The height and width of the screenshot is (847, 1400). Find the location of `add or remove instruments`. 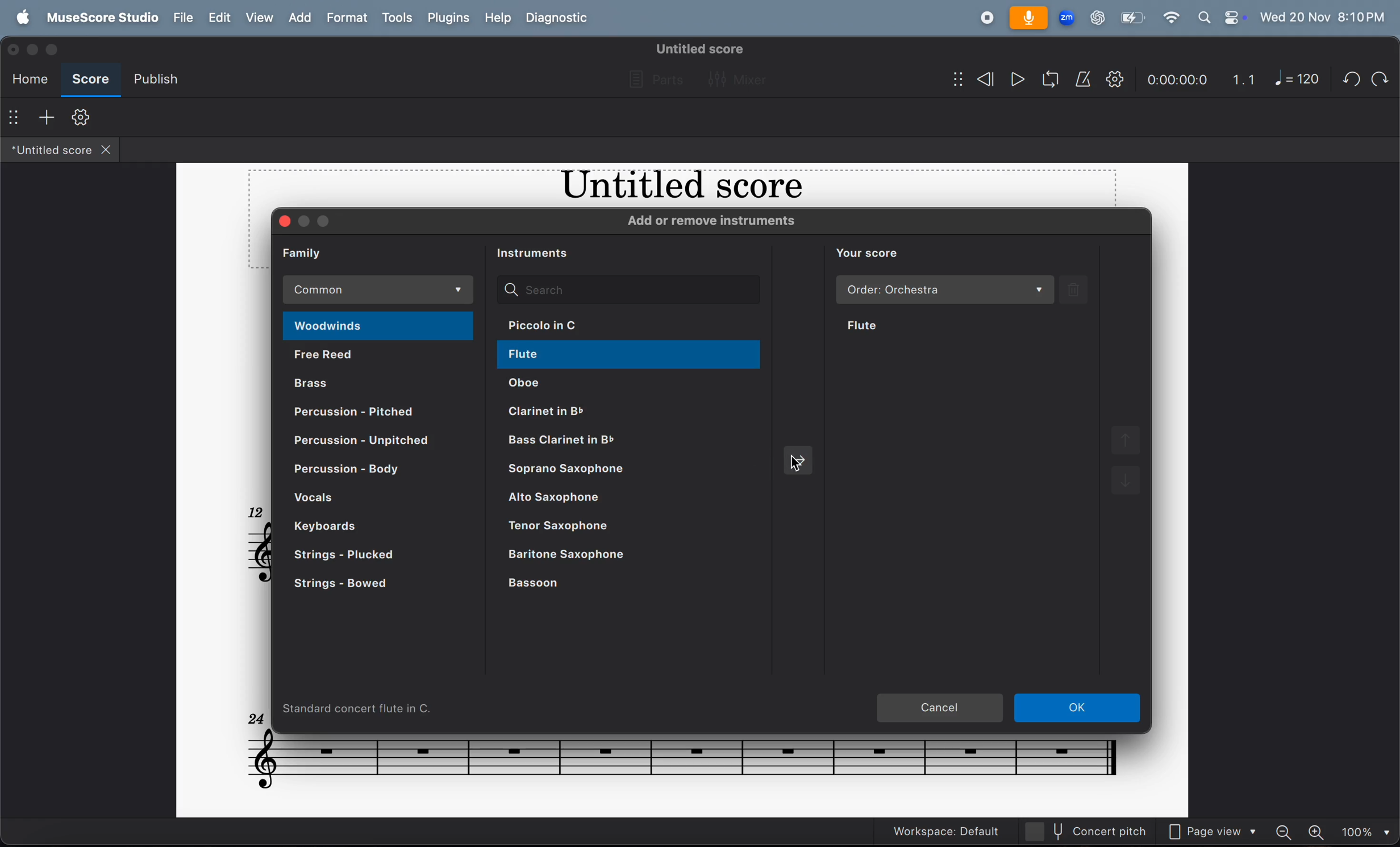

add or remove instruments is located at coordinates (721, 222).